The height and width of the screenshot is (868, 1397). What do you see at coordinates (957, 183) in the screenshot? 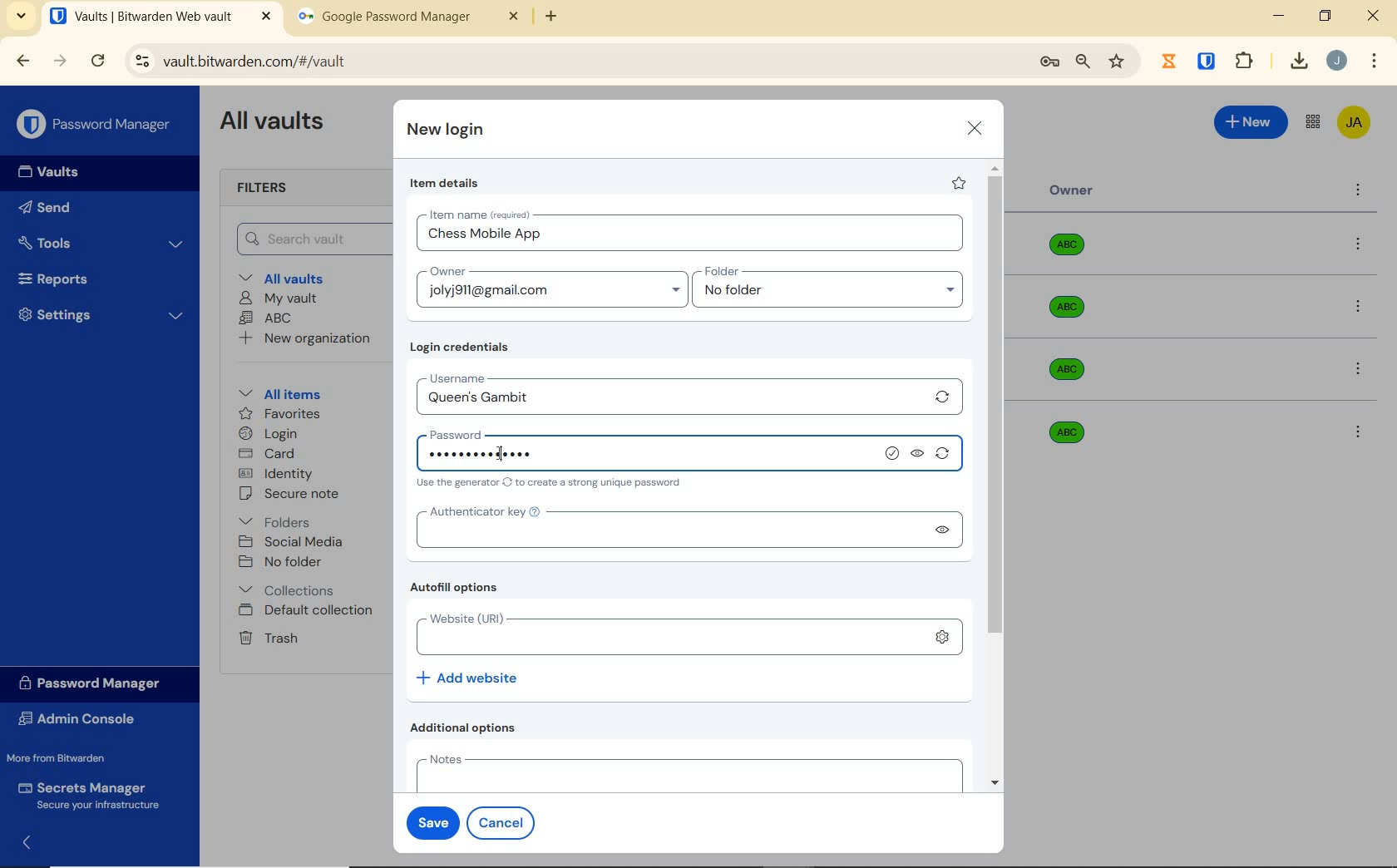
I see `favorite` at bounding box center [957, 183].